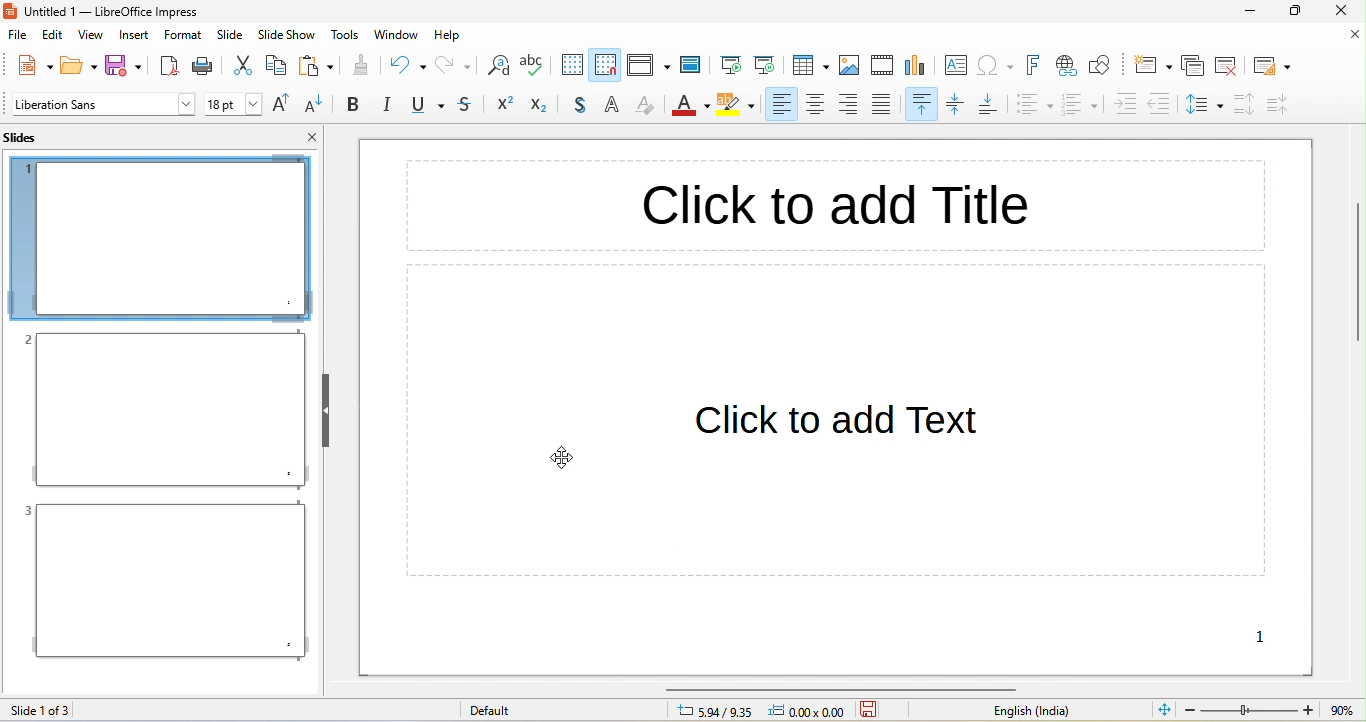  I want to click on hide, so click(324, 410).